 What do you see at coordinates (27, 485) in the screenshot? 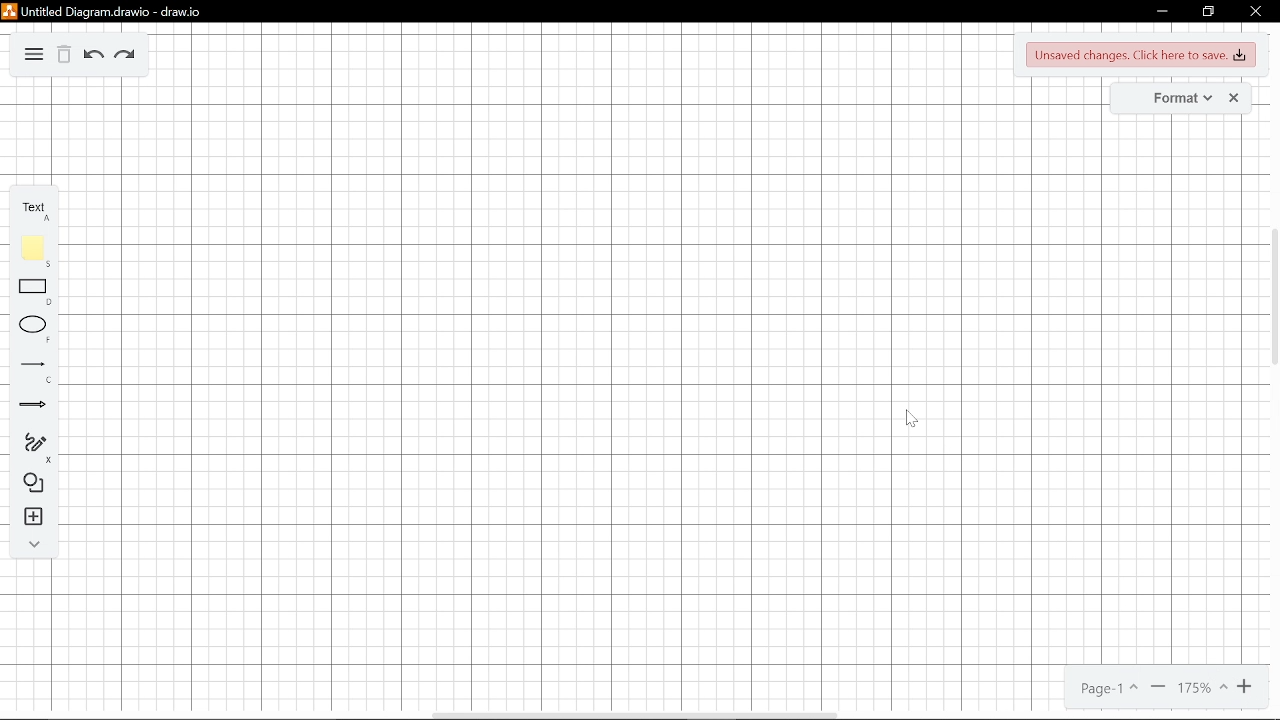
I see `shapes` at bounding box center [27, 485].